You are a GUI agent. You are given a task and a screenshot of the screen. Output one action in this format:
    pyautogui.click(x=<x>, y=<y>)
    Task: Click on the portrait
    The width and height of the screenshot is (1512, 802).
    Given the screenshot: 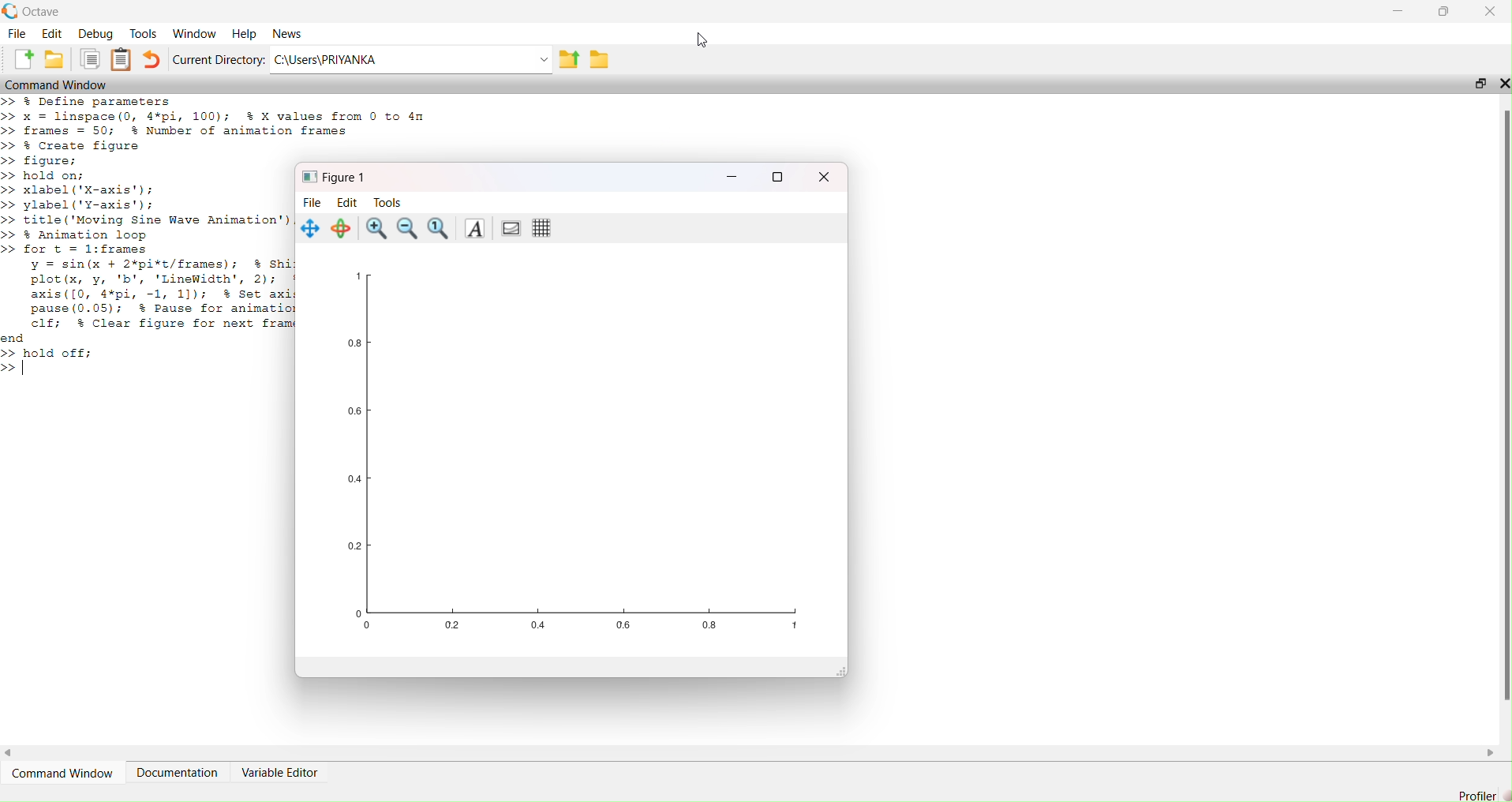 What is the action you would take?
    pyautogui.click(x=511, y=227)
    